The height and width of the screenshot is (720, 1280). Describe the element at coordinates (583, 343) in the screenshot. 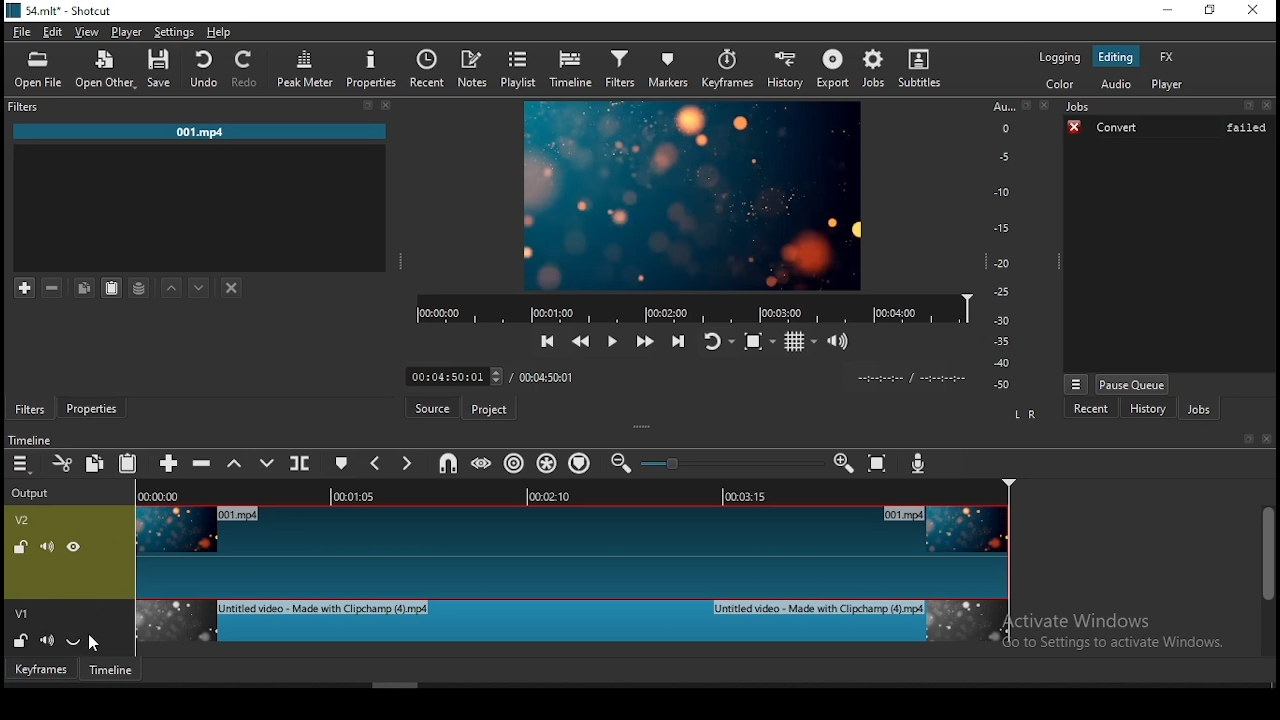

I see `play quickly backwards` at that location.